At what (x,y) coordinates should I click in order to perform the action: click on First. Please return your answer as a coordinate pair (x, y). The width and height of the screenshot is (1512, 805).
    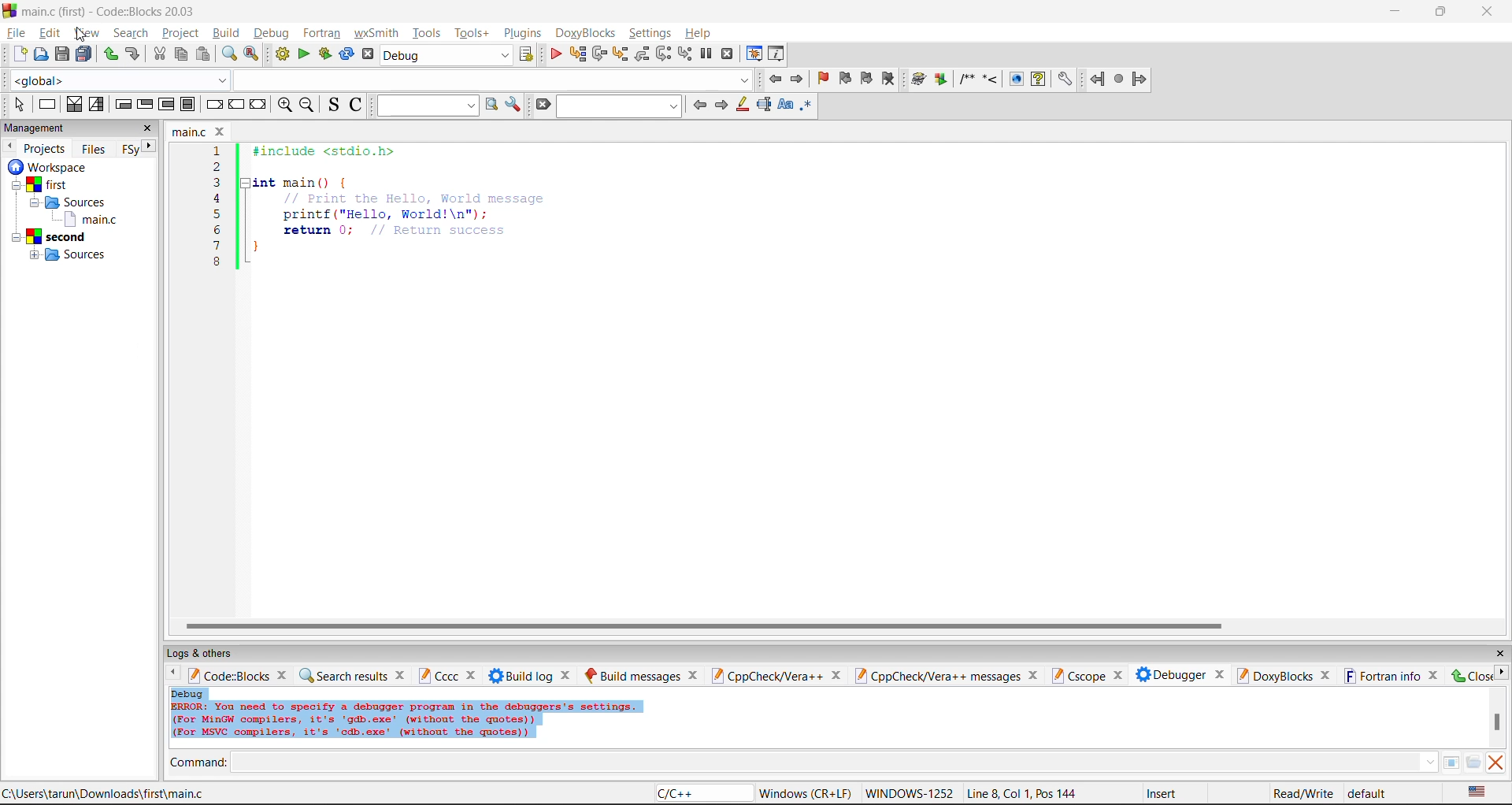
    Looking at the image, I should click on (50, 184).